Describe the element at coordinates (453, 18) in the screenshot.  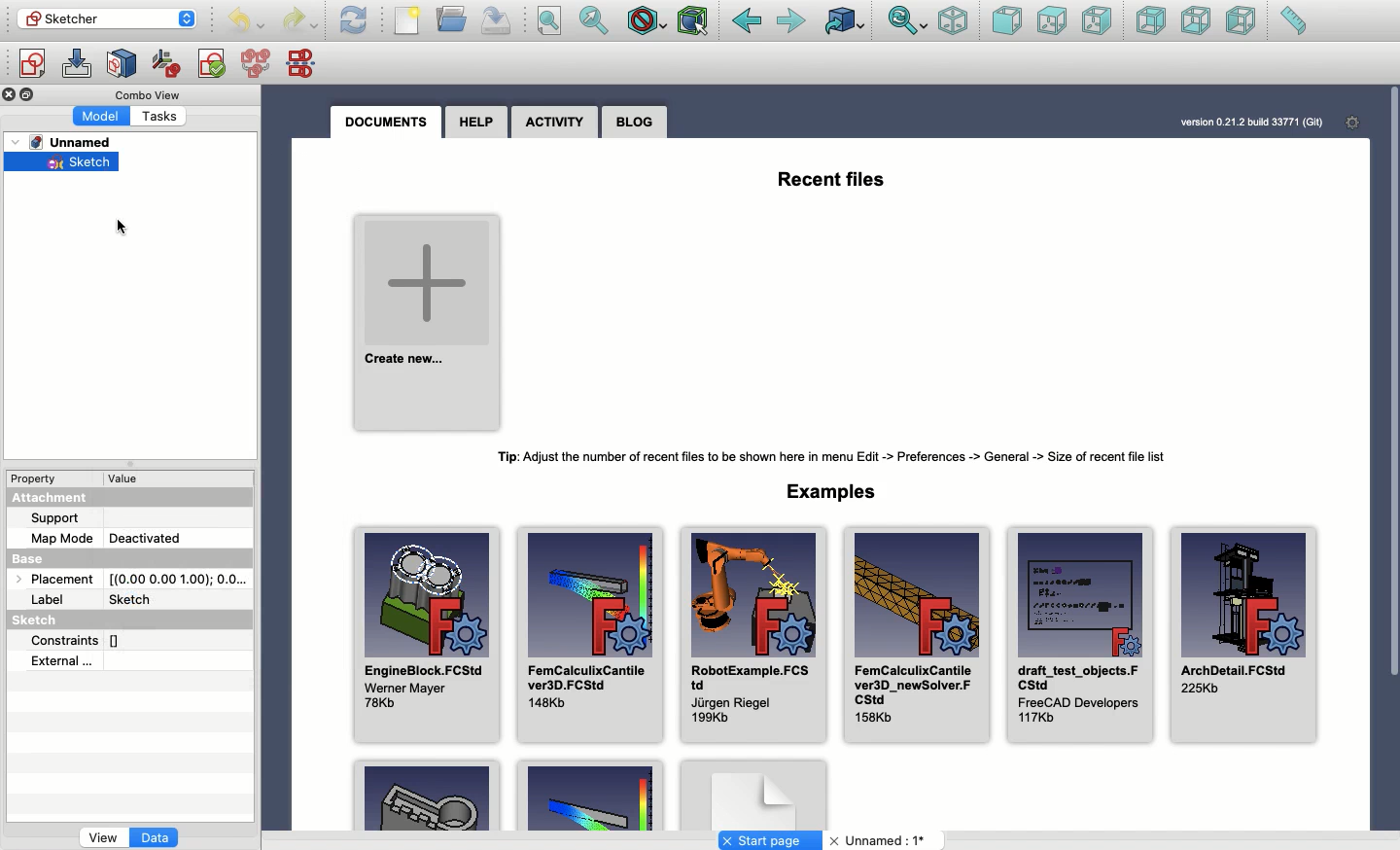
I see `Open` at that location.